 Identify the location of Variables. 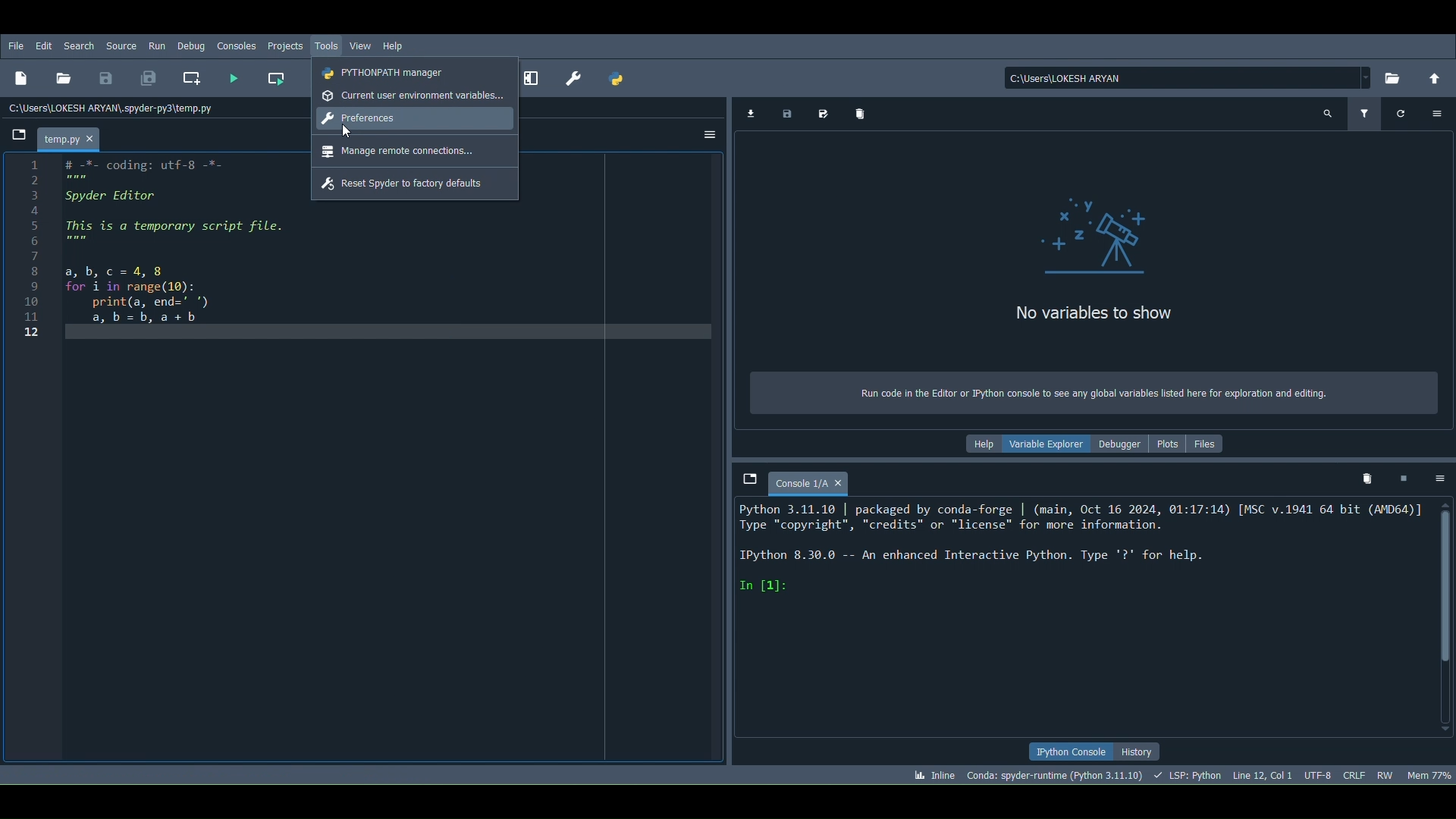
(1089, 227).